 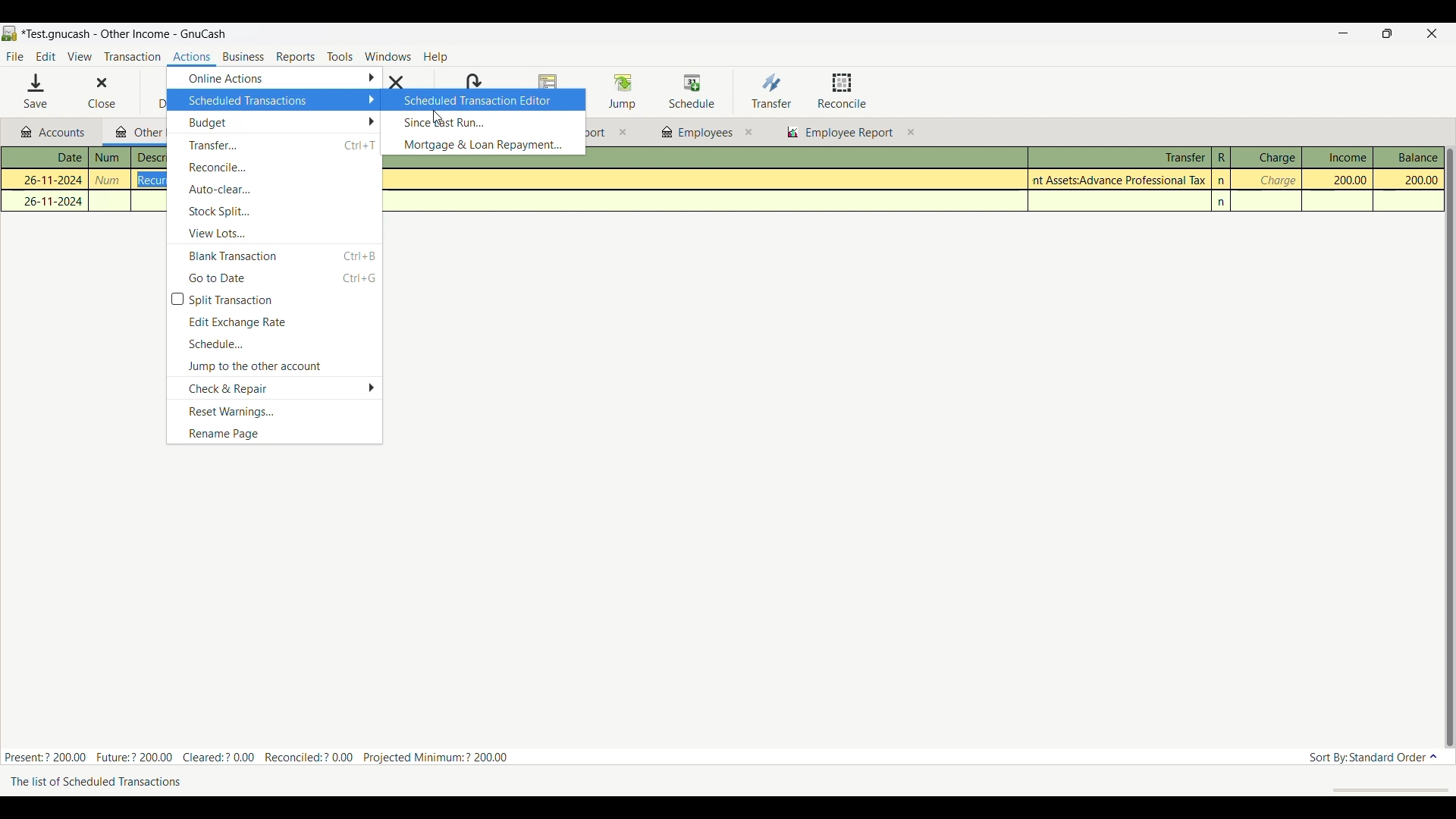 I want to click on Software logo, so click(x=10, y=33).